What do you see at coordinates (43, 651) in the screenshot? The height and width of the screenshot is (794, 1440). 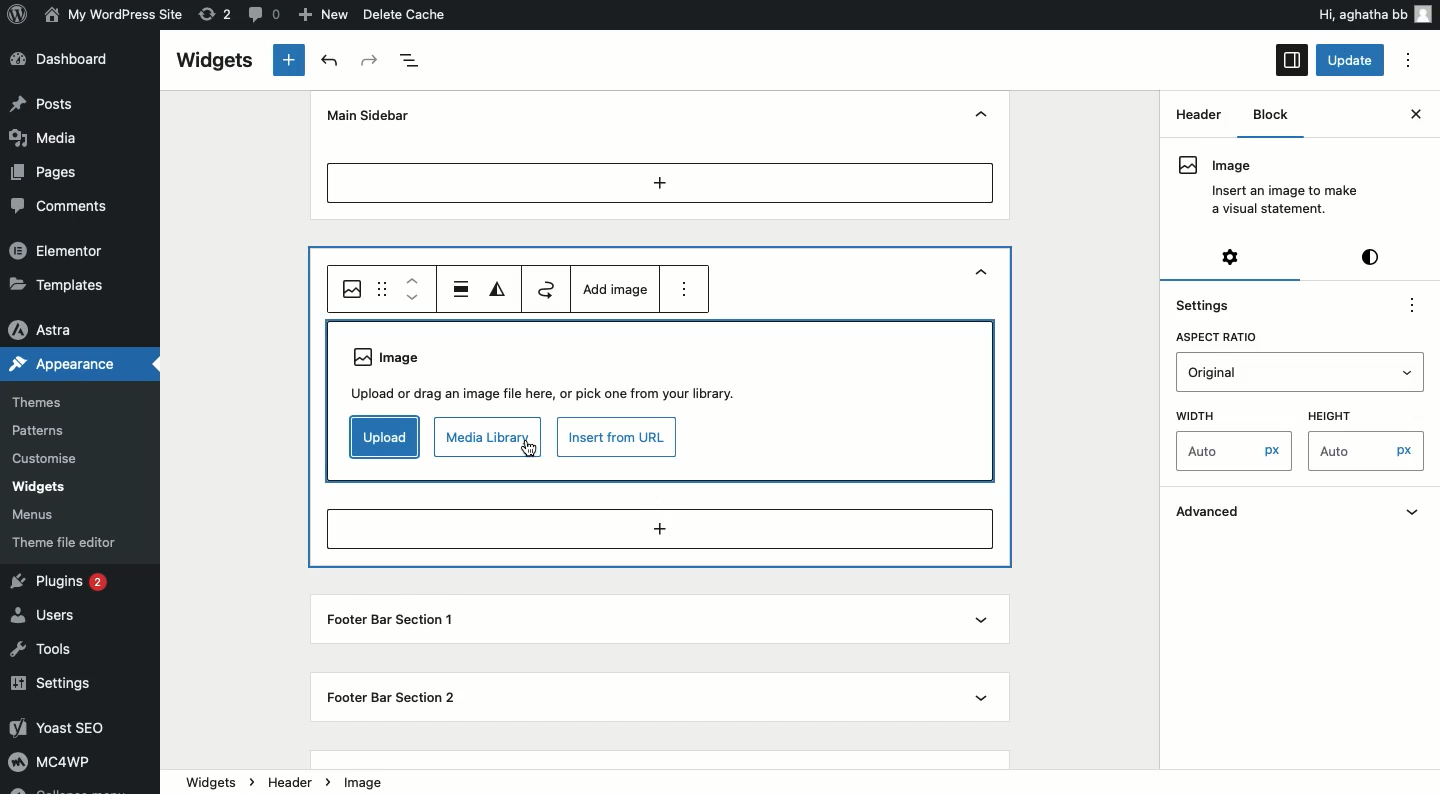 I see `Tools` at bounding box center [43, 651].